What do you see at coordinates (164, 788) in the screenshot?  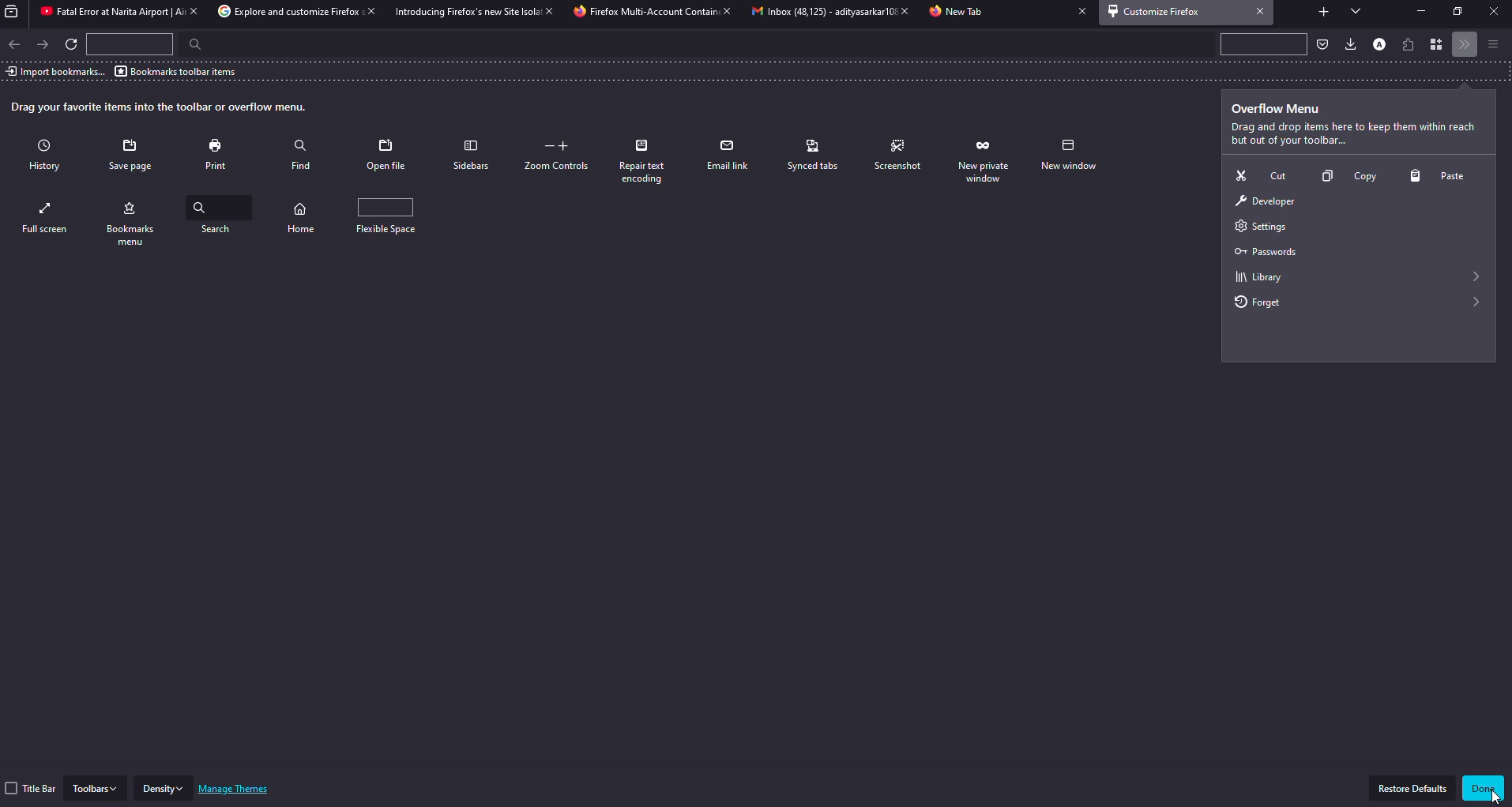 I see `density` at bounding box center [164, 788].